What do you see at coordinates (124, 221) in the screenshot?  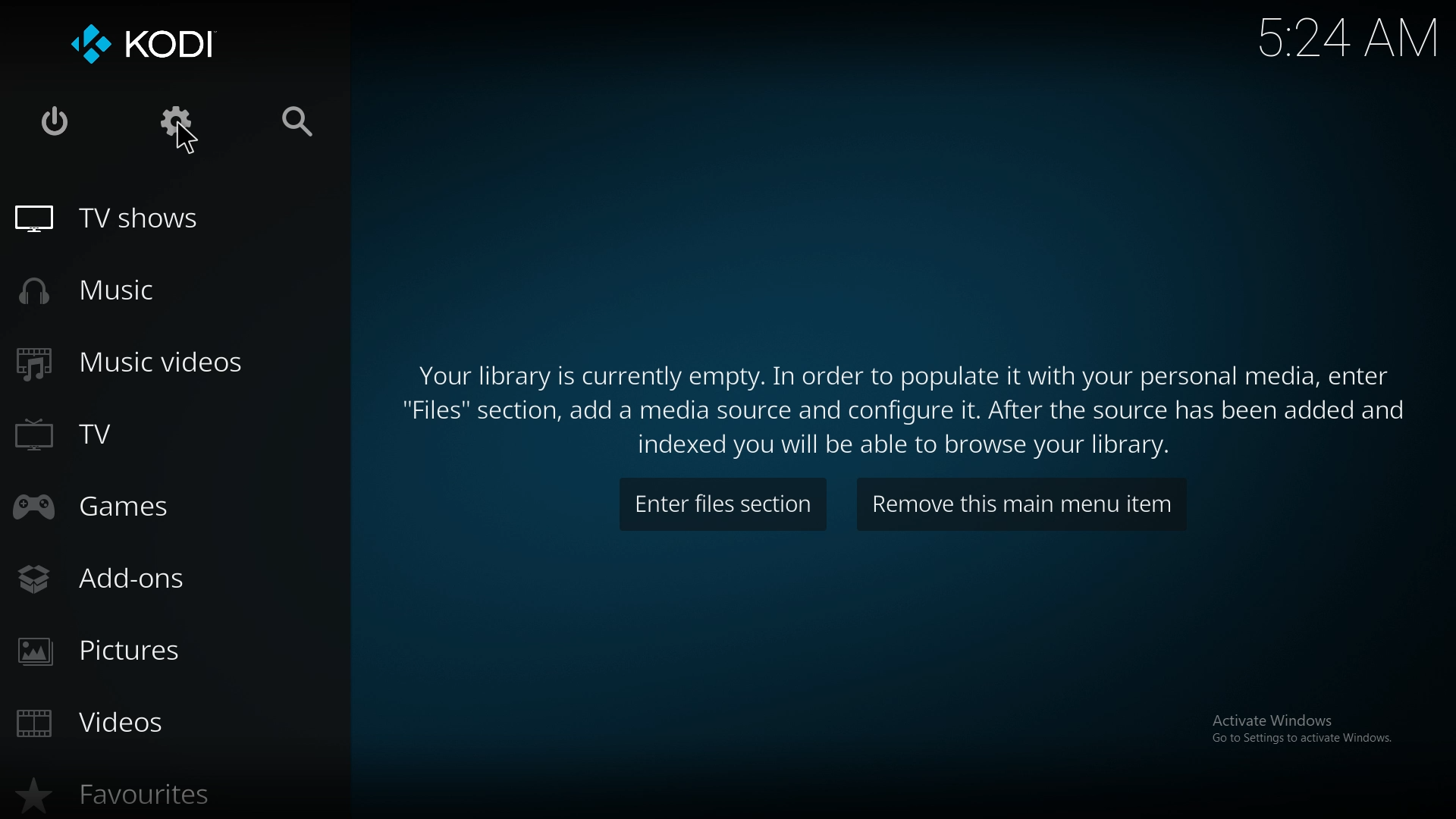 I see `tv shows` at bounding box center [124, 221].